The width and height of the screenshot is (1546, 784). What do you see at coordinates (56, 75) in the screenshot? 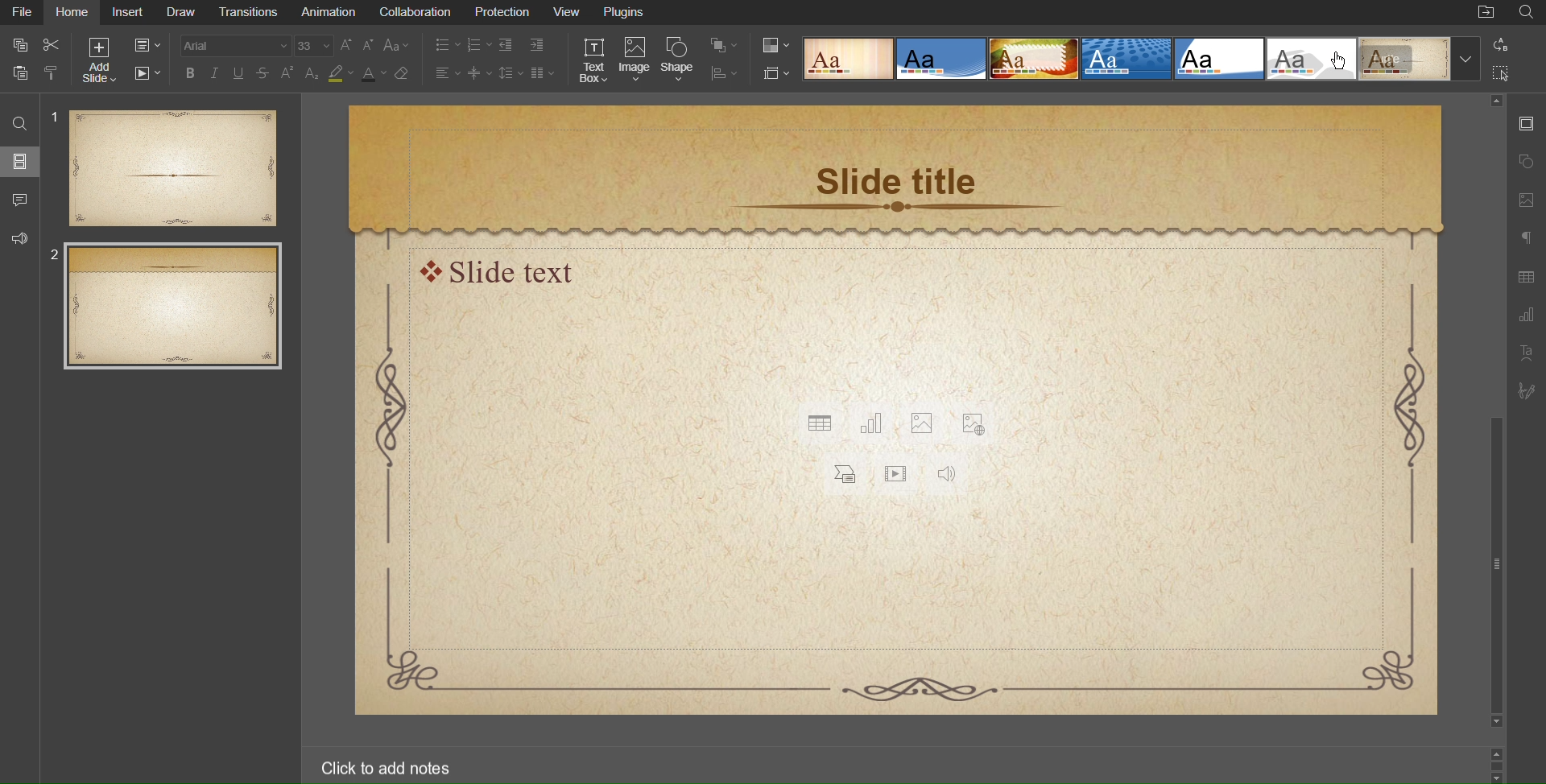
I see `copy formatting` at bounding box center [56, 75].